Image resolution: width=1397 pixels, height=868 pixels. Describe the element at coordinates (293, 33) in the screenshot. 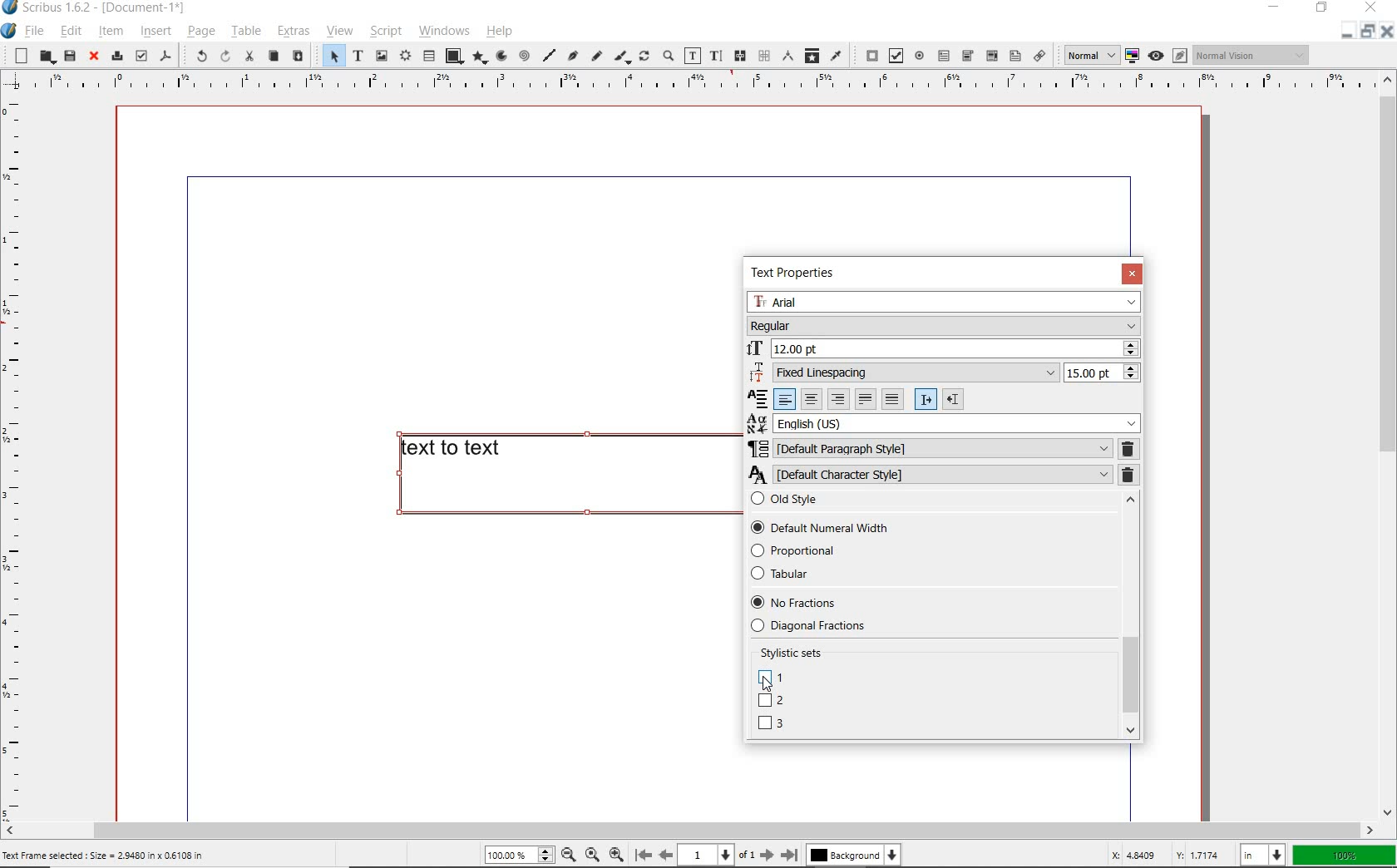

I see `extras` at that location.